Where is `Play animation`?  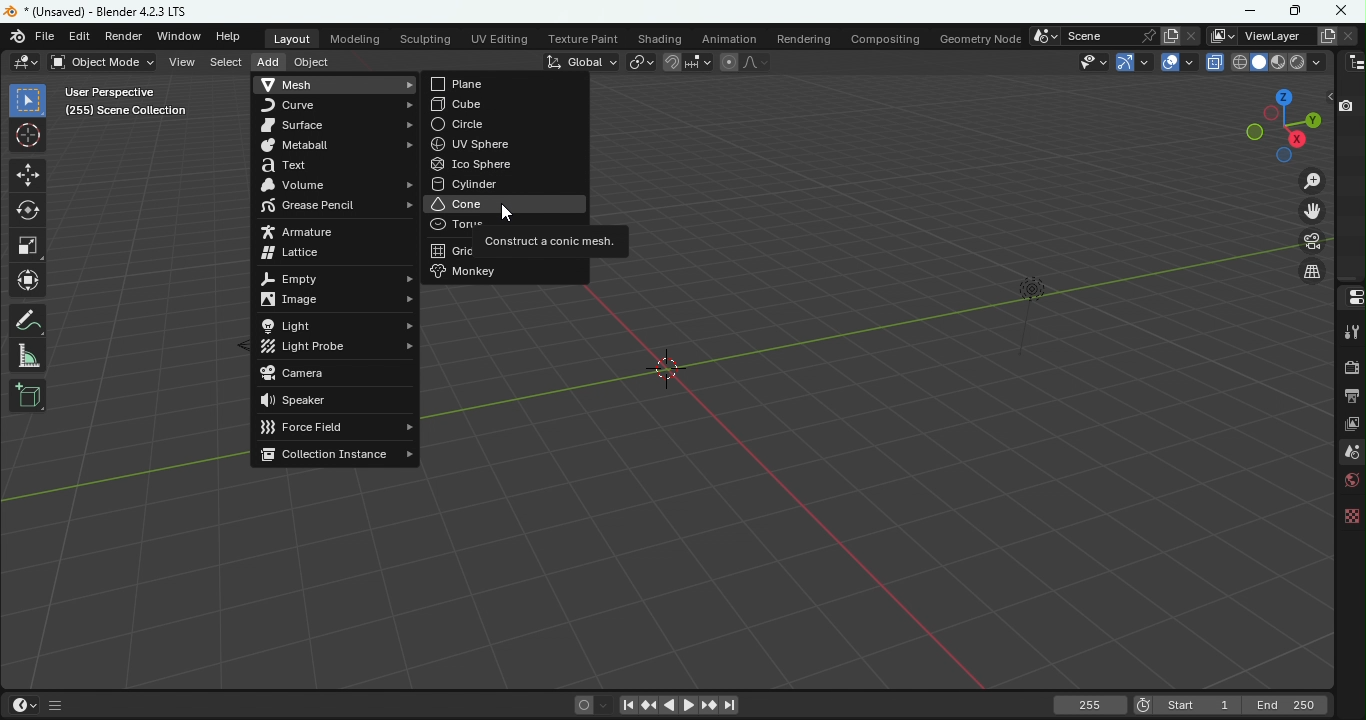 Play animation is located at coordinates (686, 703).